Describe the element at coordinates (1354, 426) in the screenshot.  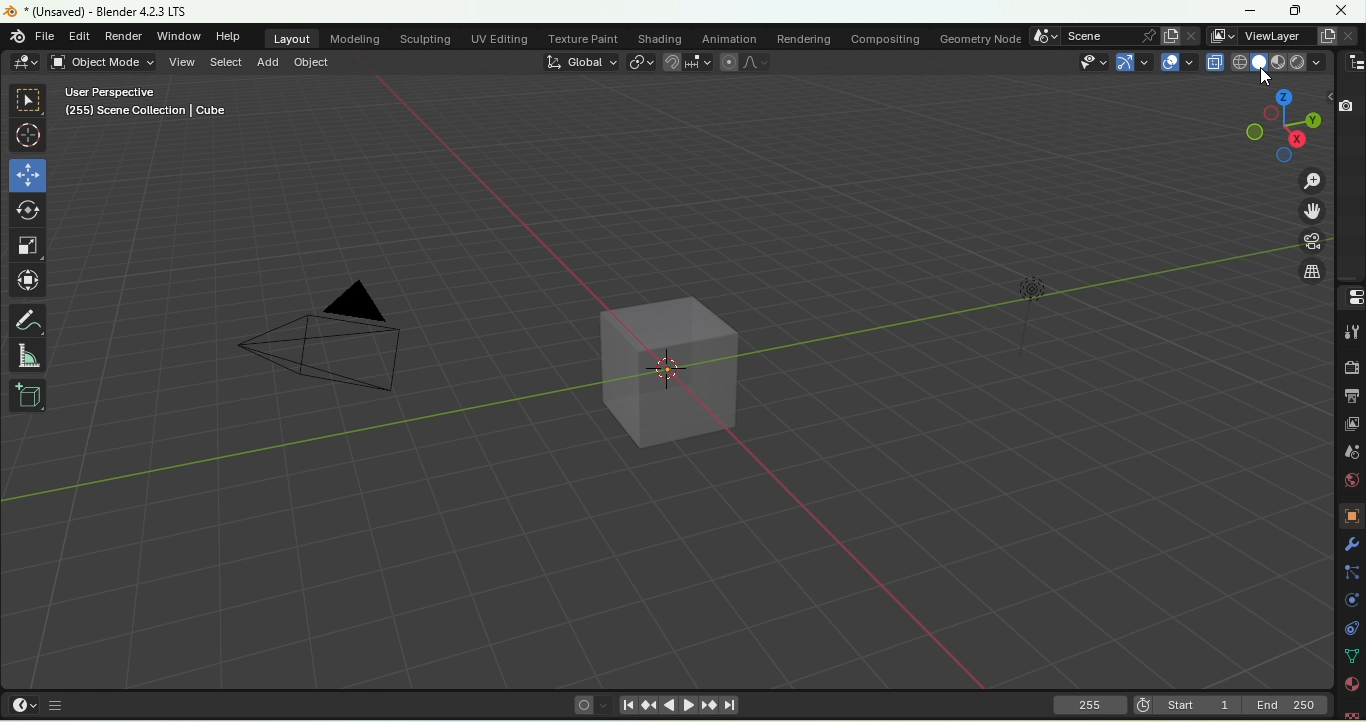
I see `View layer` at that location.